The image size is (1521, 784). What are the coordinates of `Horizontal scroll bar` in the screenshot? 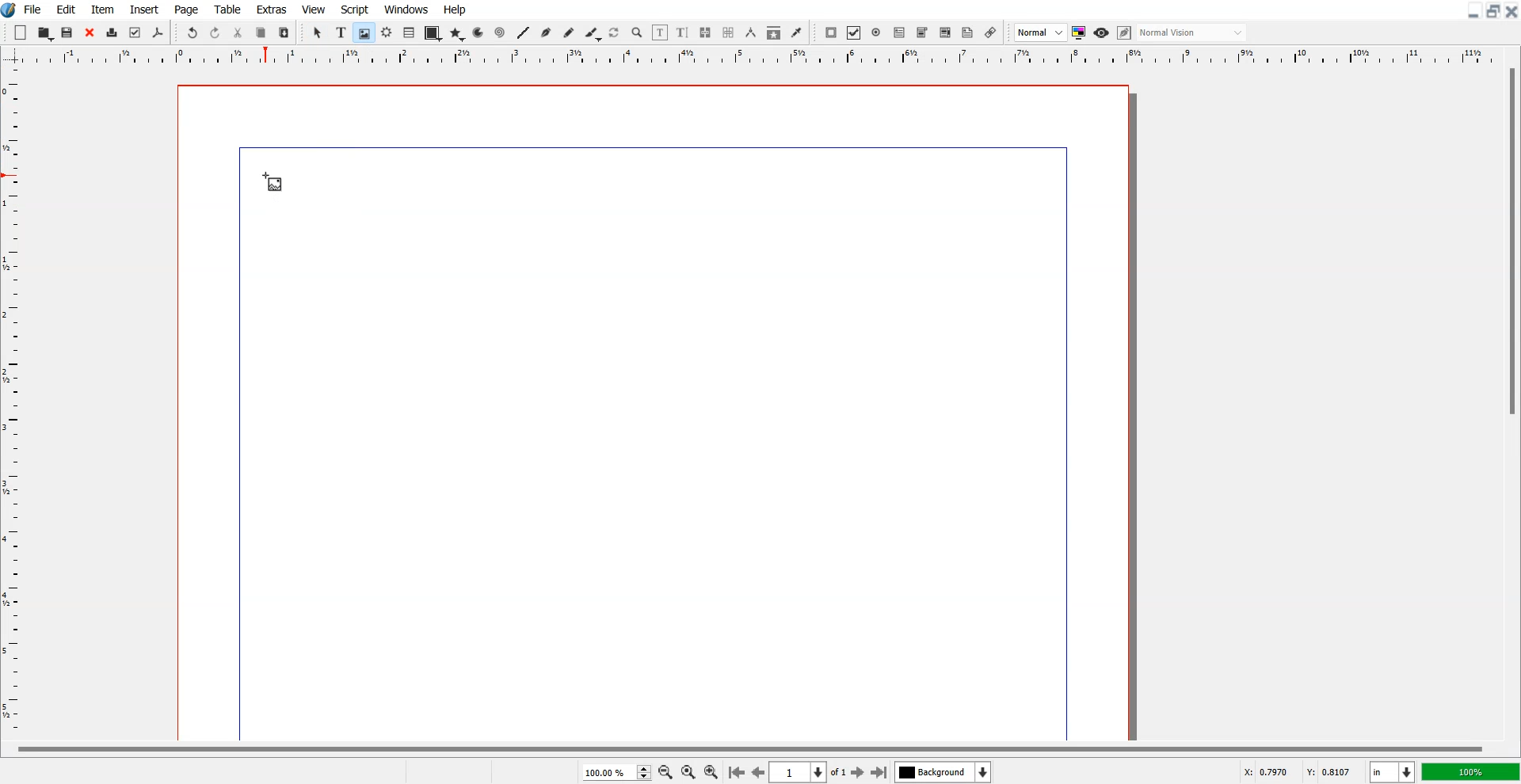 It's located at (746, 747).